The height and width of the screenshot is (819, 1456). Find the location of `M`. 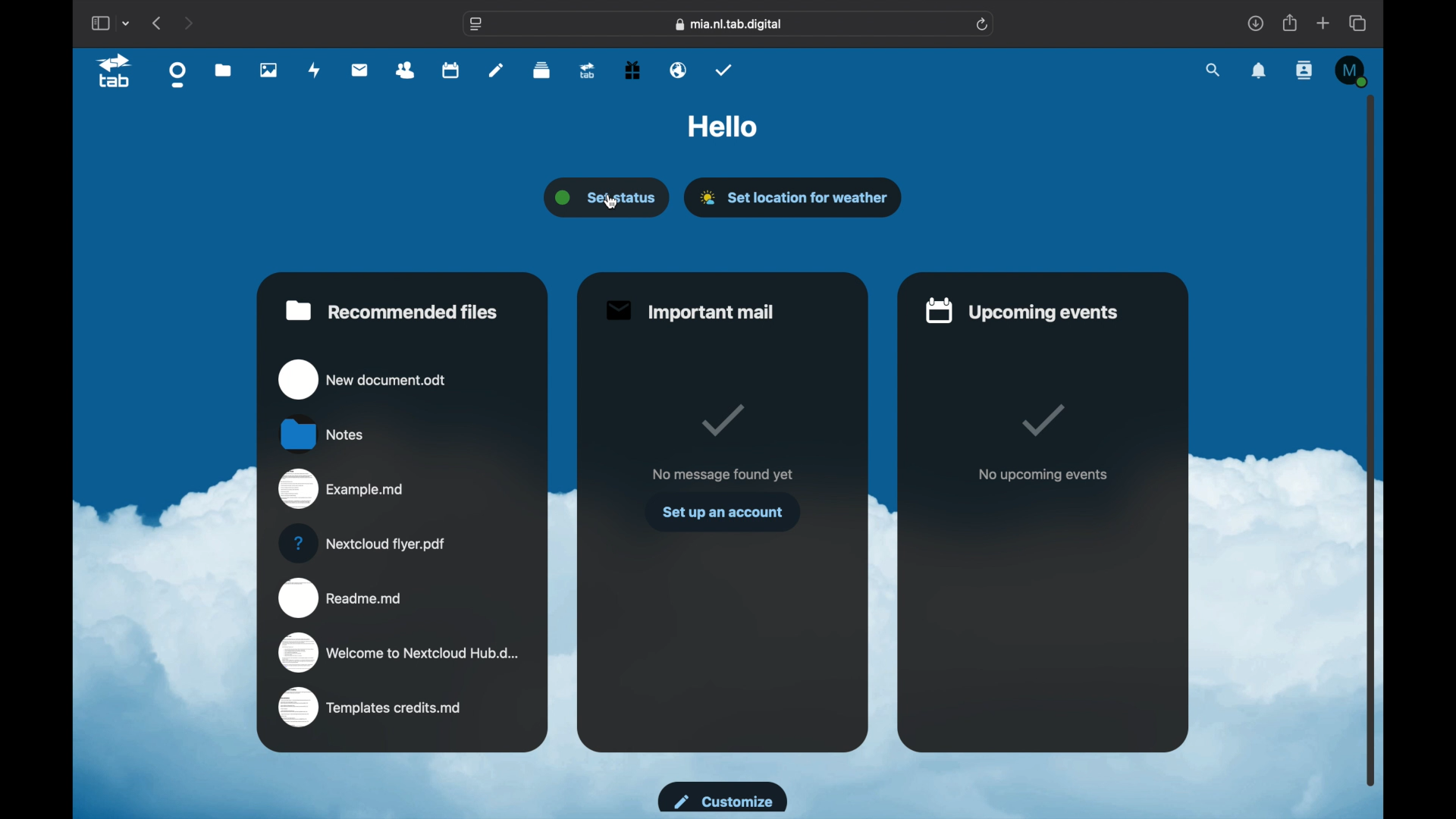

M is located at coordinates (1353, 71).